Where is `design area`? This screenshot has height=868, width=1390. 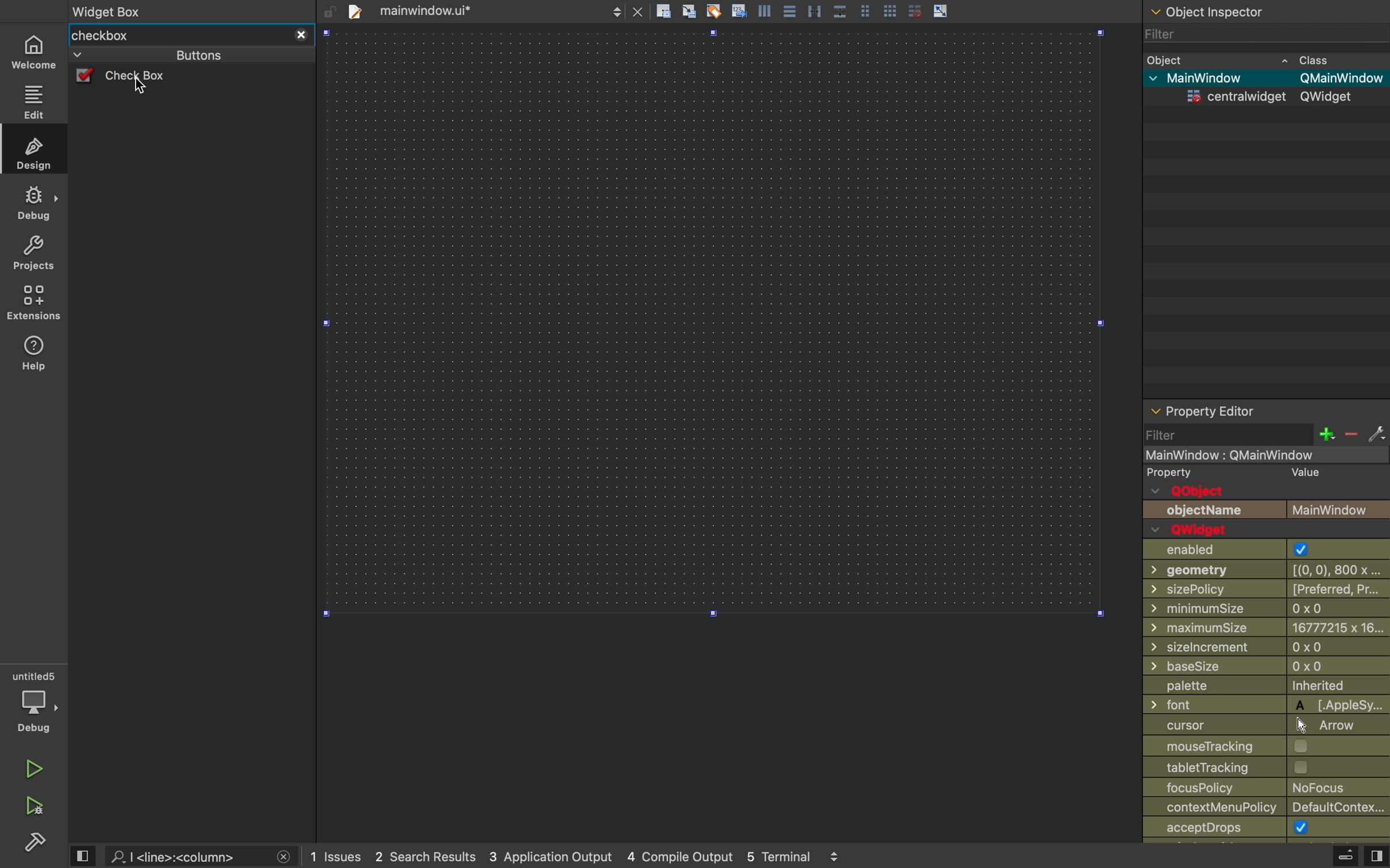
design area is located at coordinates (713, 323).